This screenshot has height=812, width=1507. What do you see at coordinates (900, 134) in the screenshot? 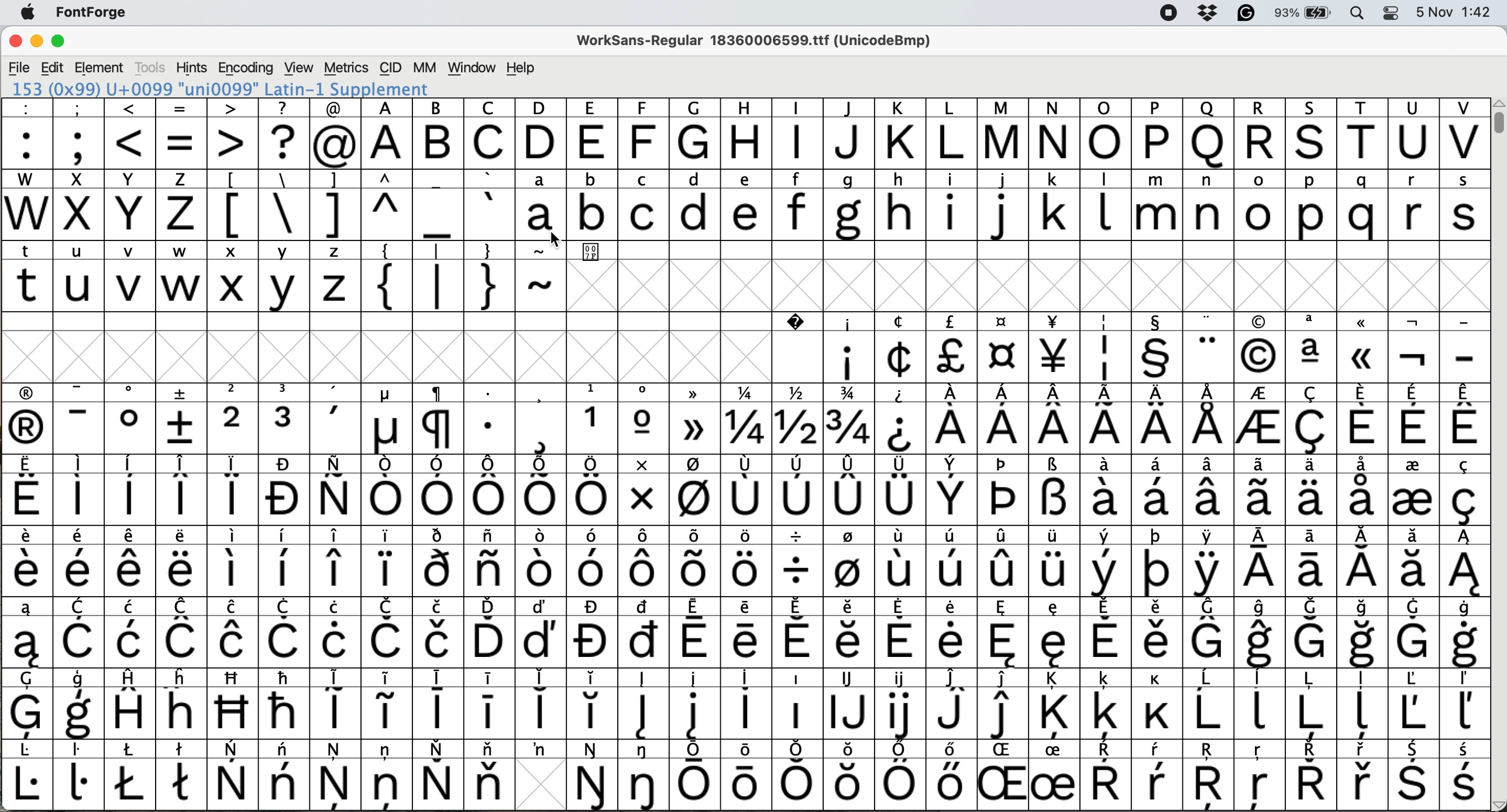
I see `K` at bounding box center [900, 134].